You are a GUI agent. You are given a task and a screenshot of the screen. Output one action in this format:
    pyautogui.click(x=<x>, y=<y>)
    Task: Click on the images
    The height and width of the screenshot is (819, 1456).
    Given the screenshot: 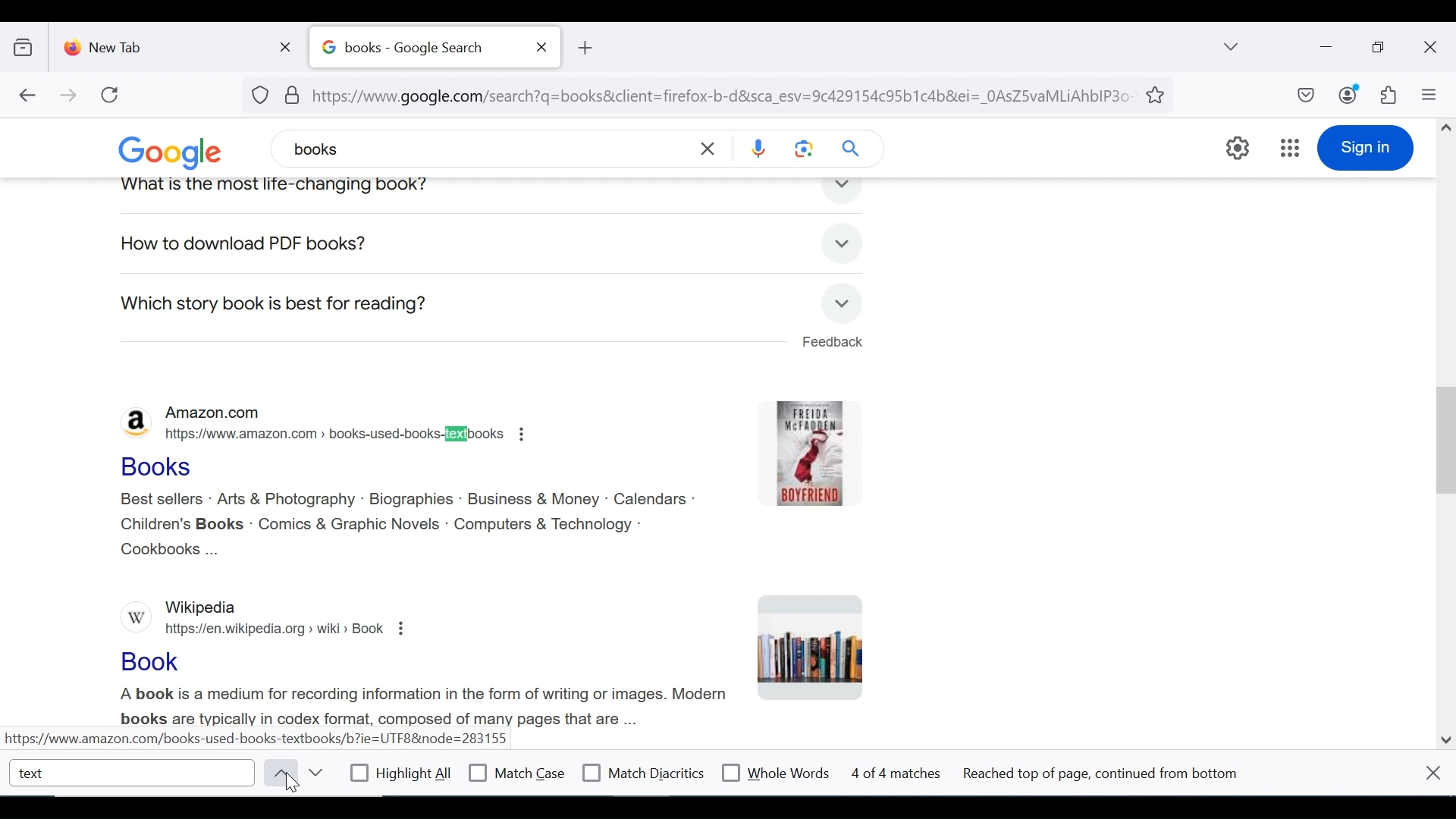 What is the action you would take?
    pyautogui.click(x=193, y=244)
    